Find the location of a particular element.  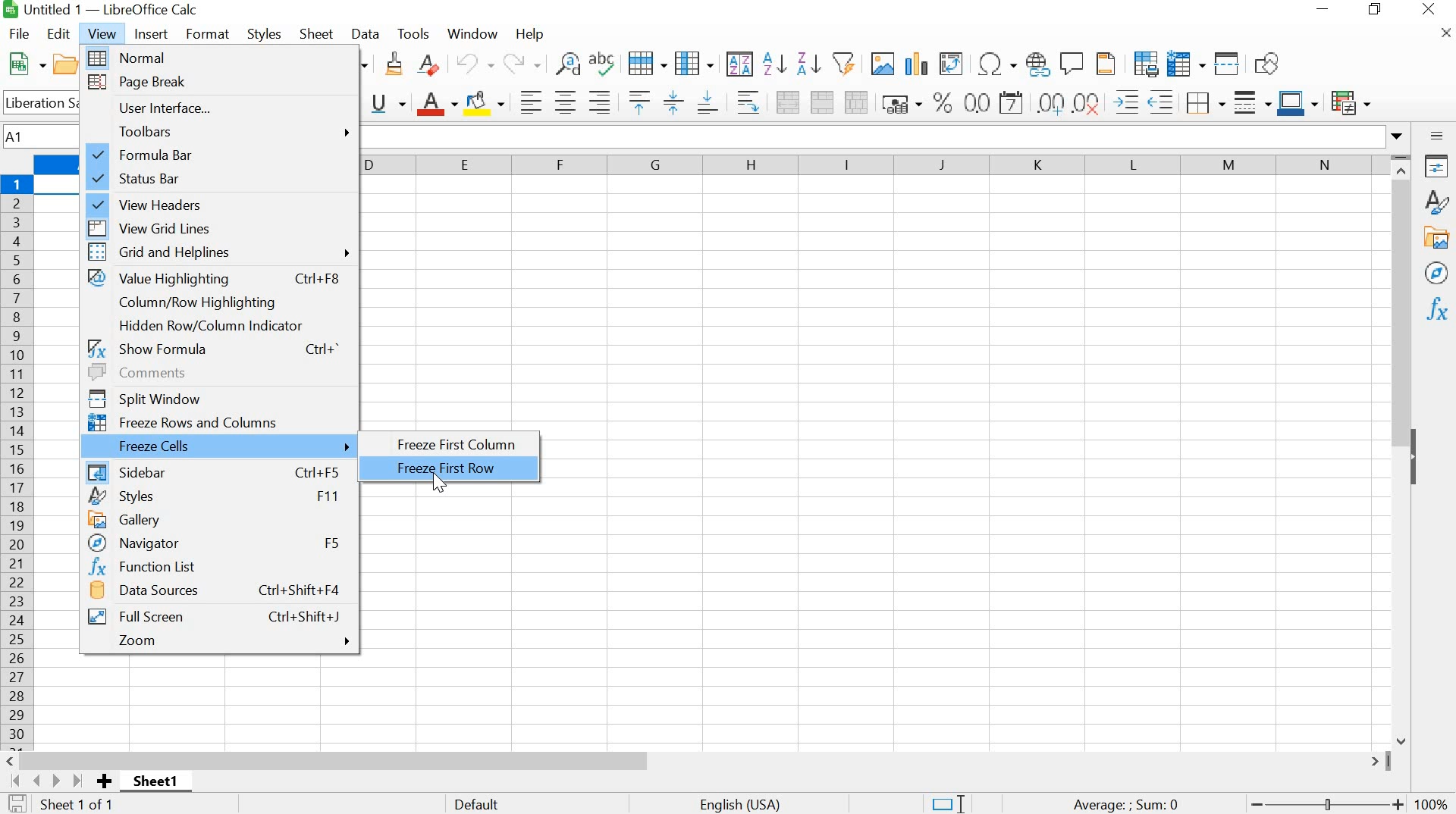

GRID AND HELPLINES is located at coordinates (221, 253).